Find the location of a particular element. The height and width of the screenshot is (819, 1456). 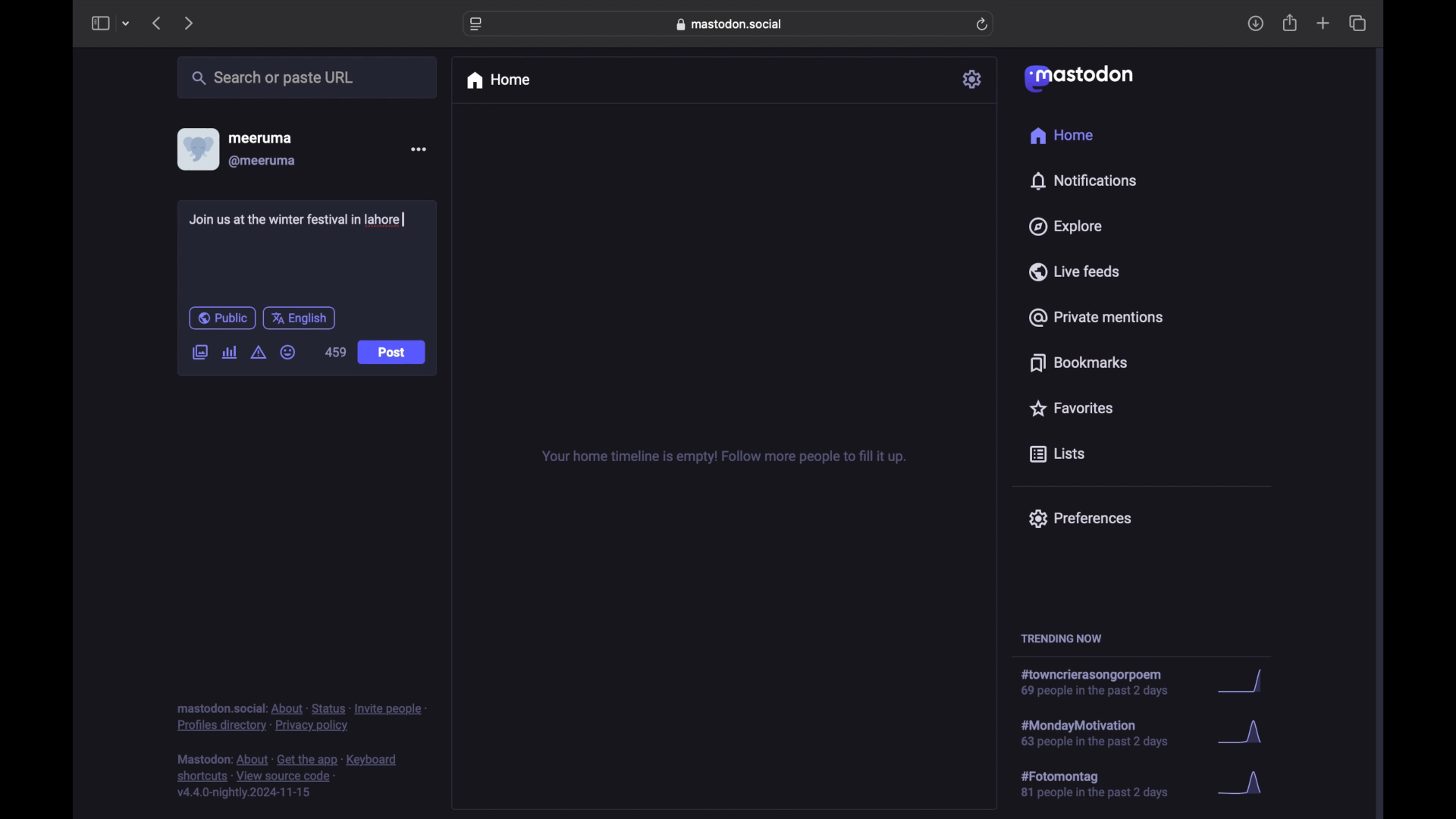

graph is located at coordinates (1244, 736).